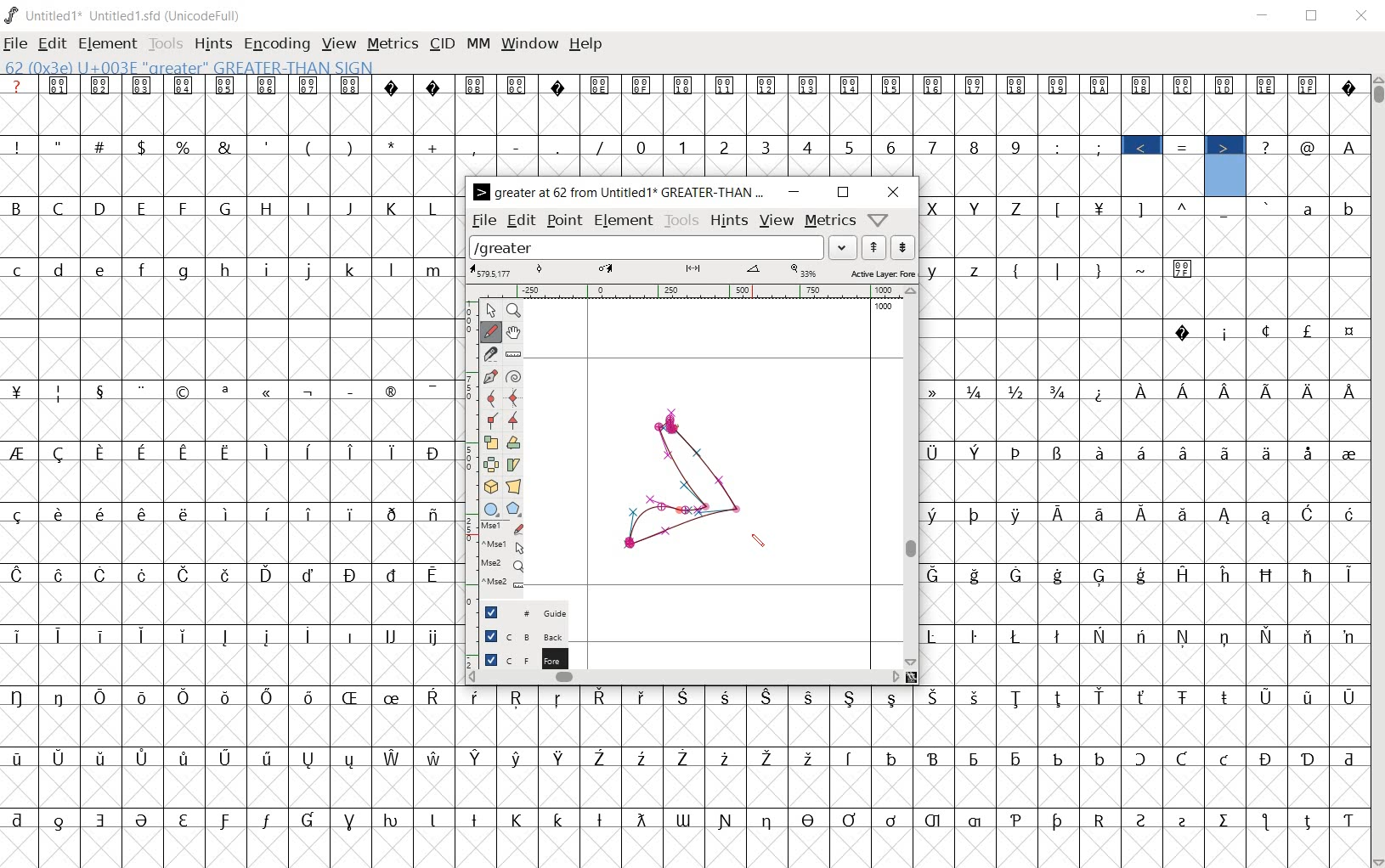  Describe the element at coordinates (879, 219) in the screenshot. I see `help/window` at that location.